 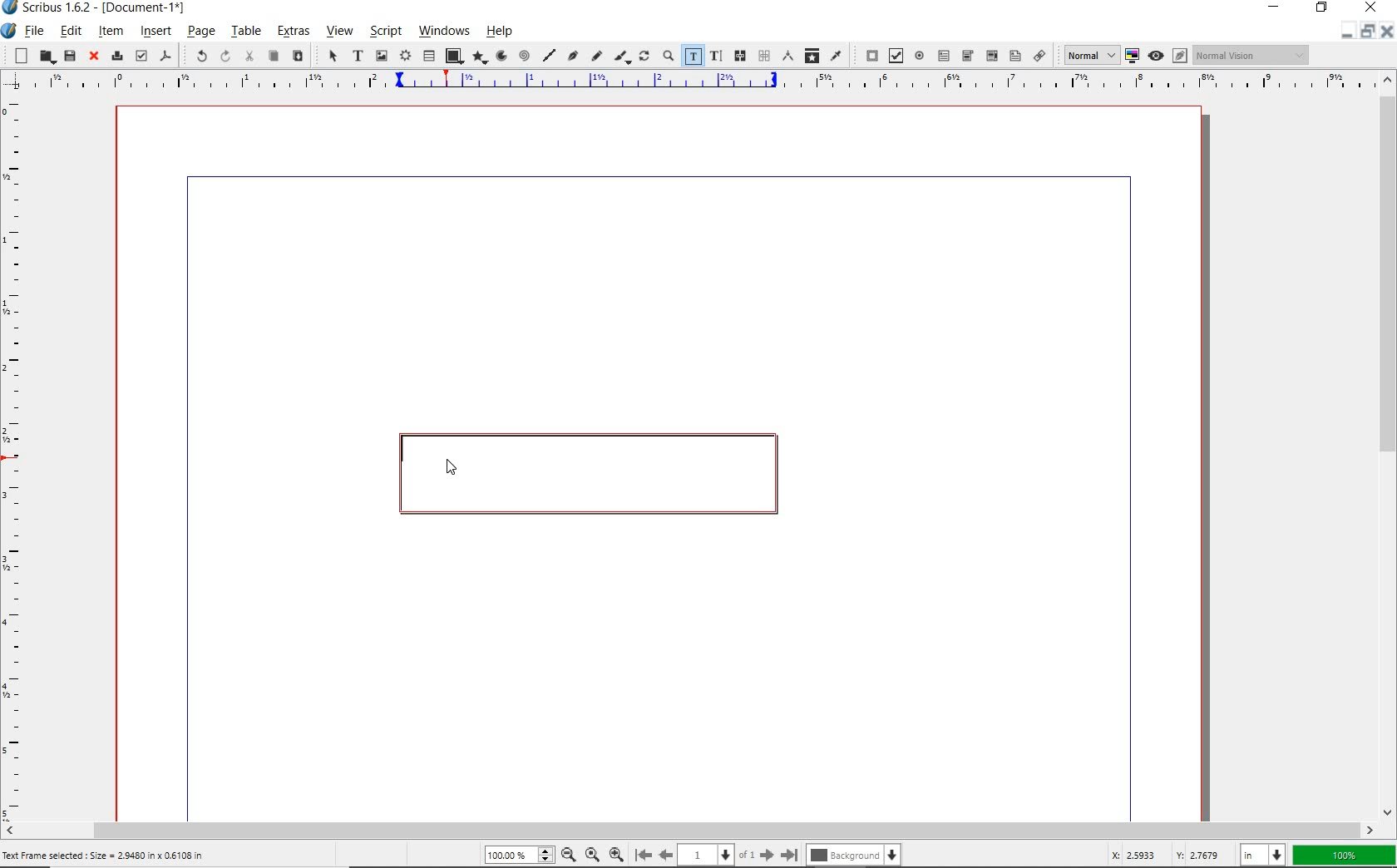 What do you see at coordinates (1387, 445) in the screenshot?
I see `scrollbar` at bounding box center [1387, 445].